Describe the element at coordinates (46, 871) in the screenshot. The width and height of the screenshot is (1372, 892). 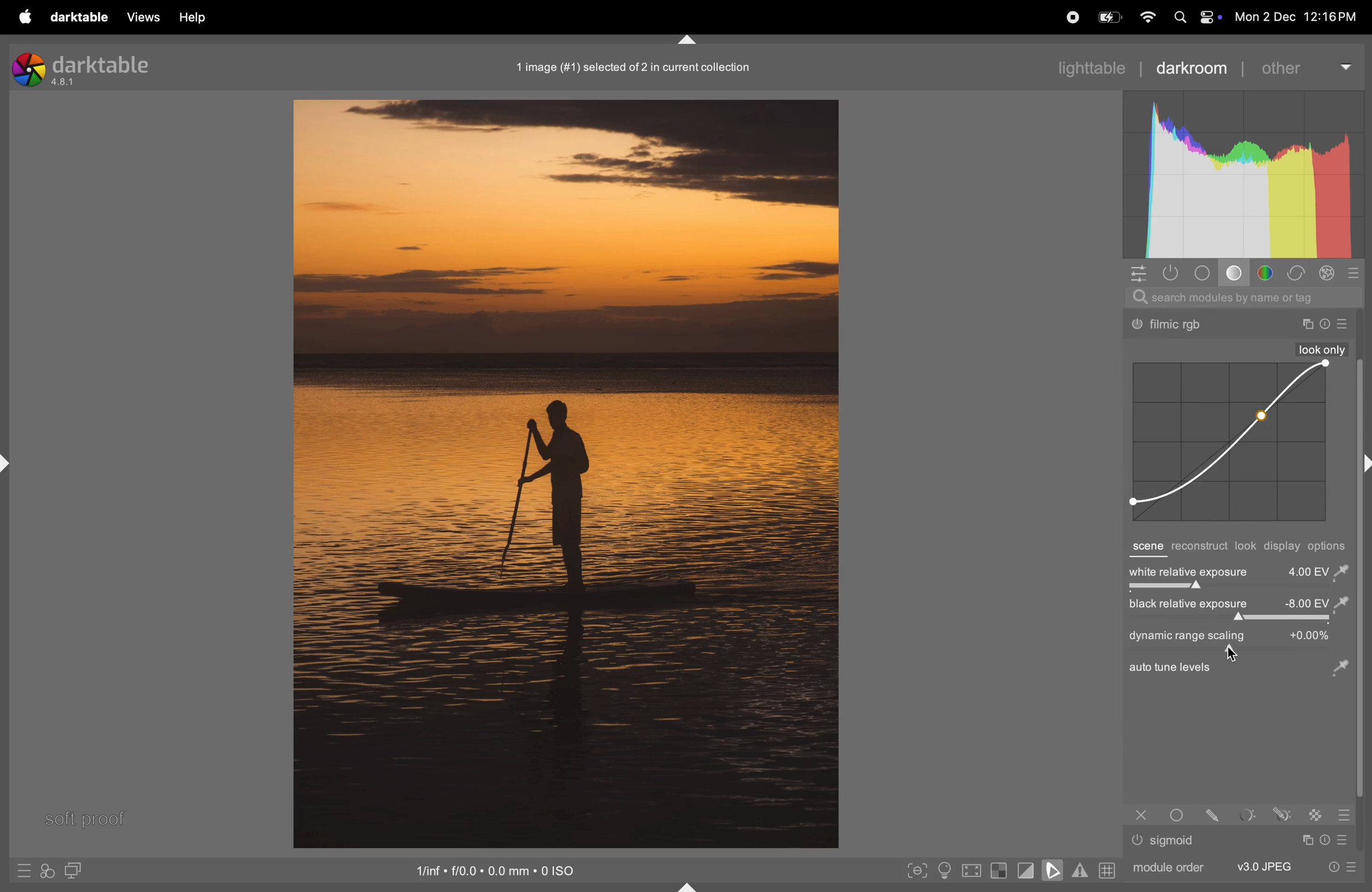
I see `quick acess to apply your styles` at that location.